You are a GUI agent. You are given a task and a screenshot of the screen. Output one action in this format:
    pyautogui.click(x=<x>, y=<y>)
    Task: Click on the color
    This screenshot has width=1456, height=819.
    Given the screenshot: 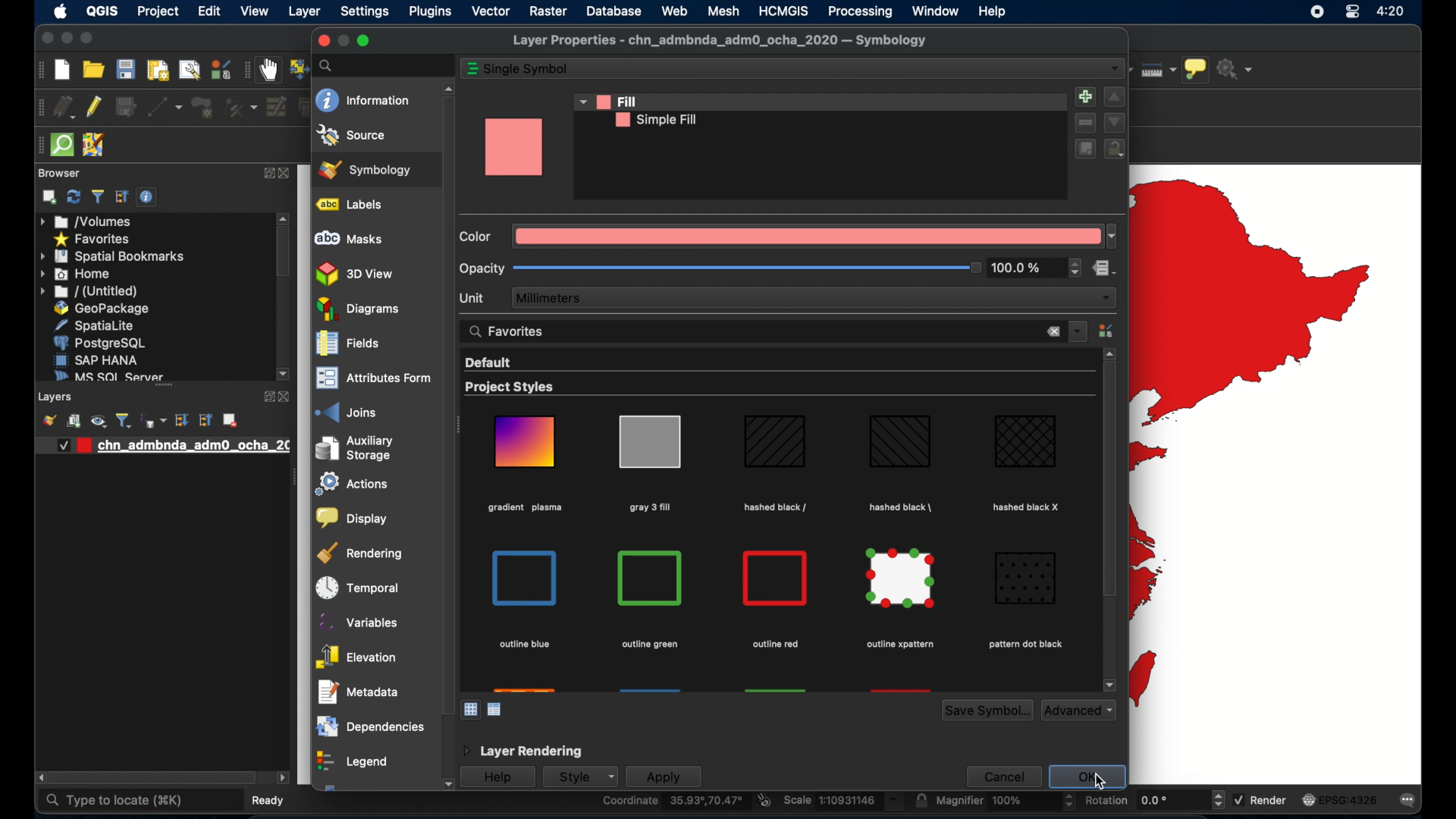 What is the action you would take?
    pyautogui.click(x=478, y=237)
    